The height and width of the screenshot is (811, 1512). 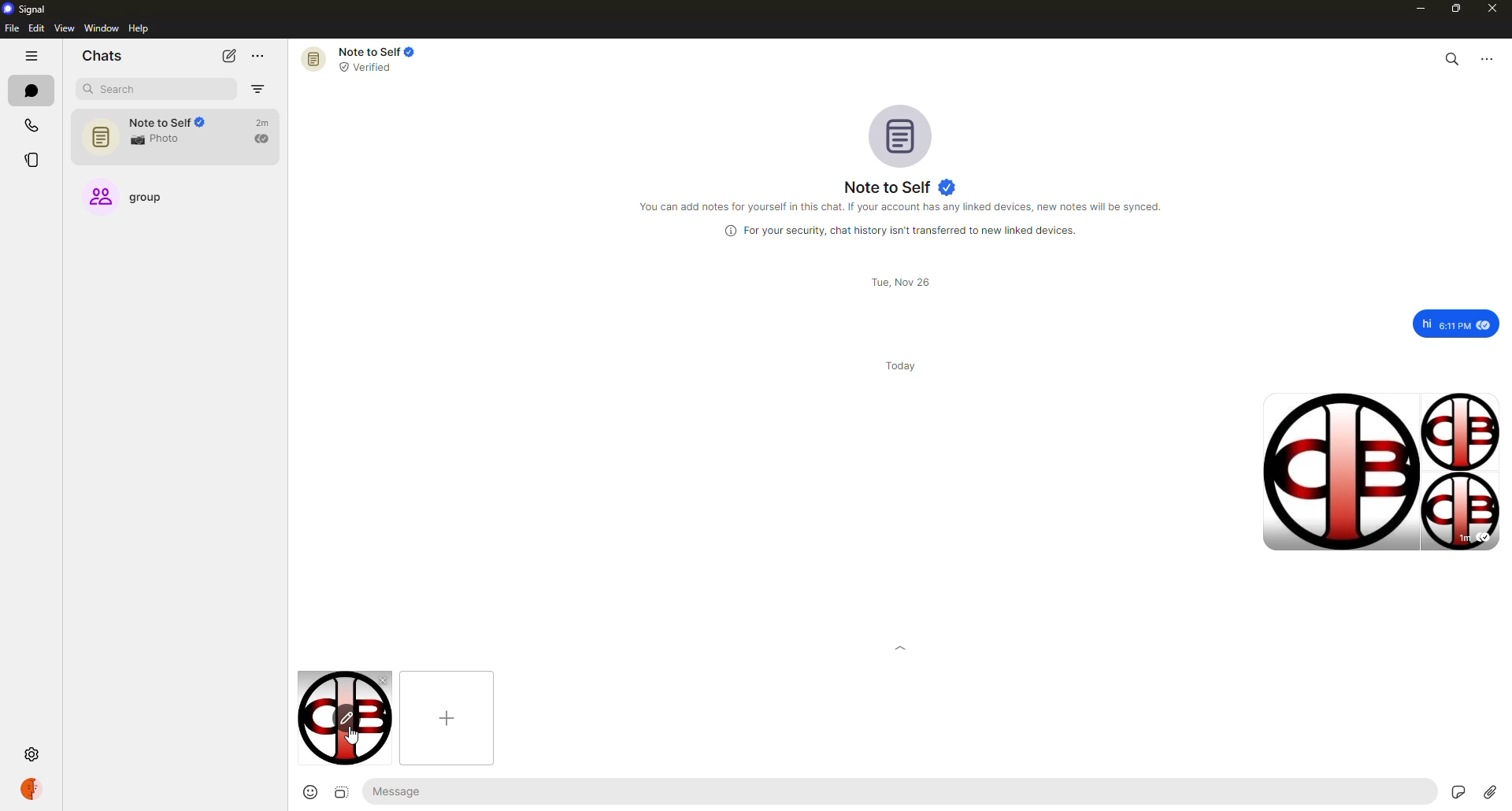 What do you see at coordinates (339, 792) in the screenshot?
I see `image` at bounding box center [339, 792].